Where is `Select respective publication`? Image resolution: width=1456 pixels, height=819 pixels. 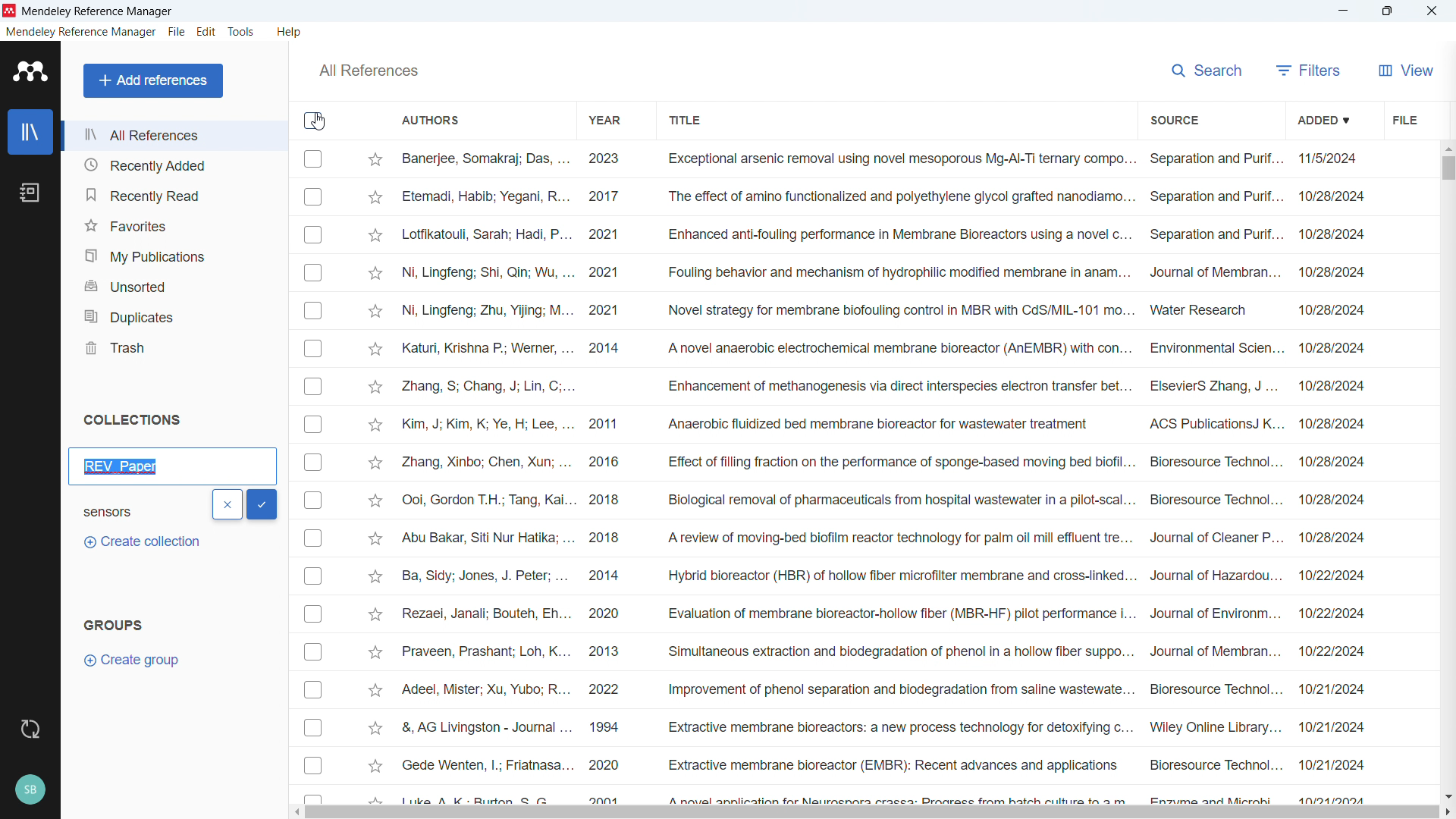
Select respective publication is located at coordinates (313, 386).